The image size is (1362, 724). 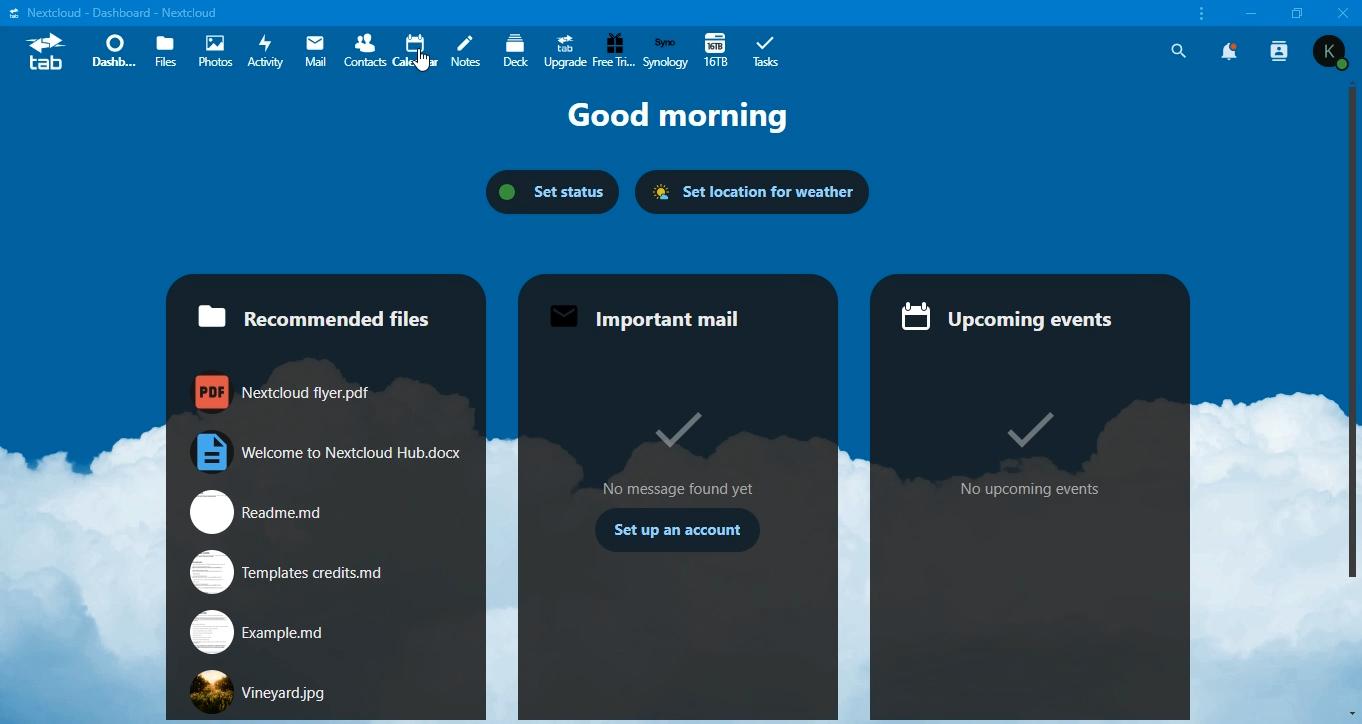 I want to click on = Upcoming events, so click(x=1015, y=319).